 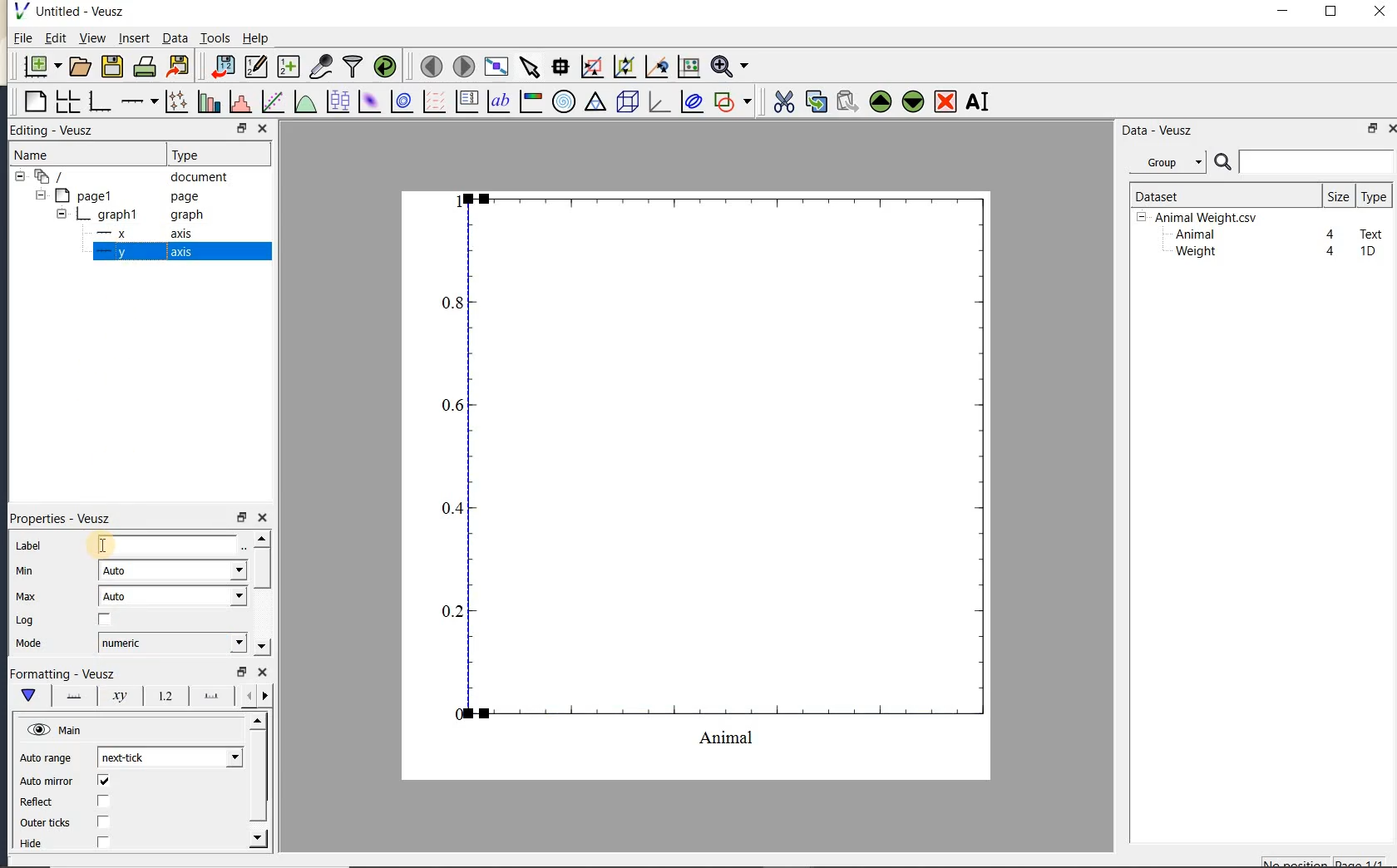 I want to click on Animalweight.csv, so click(x=1201, y=218).